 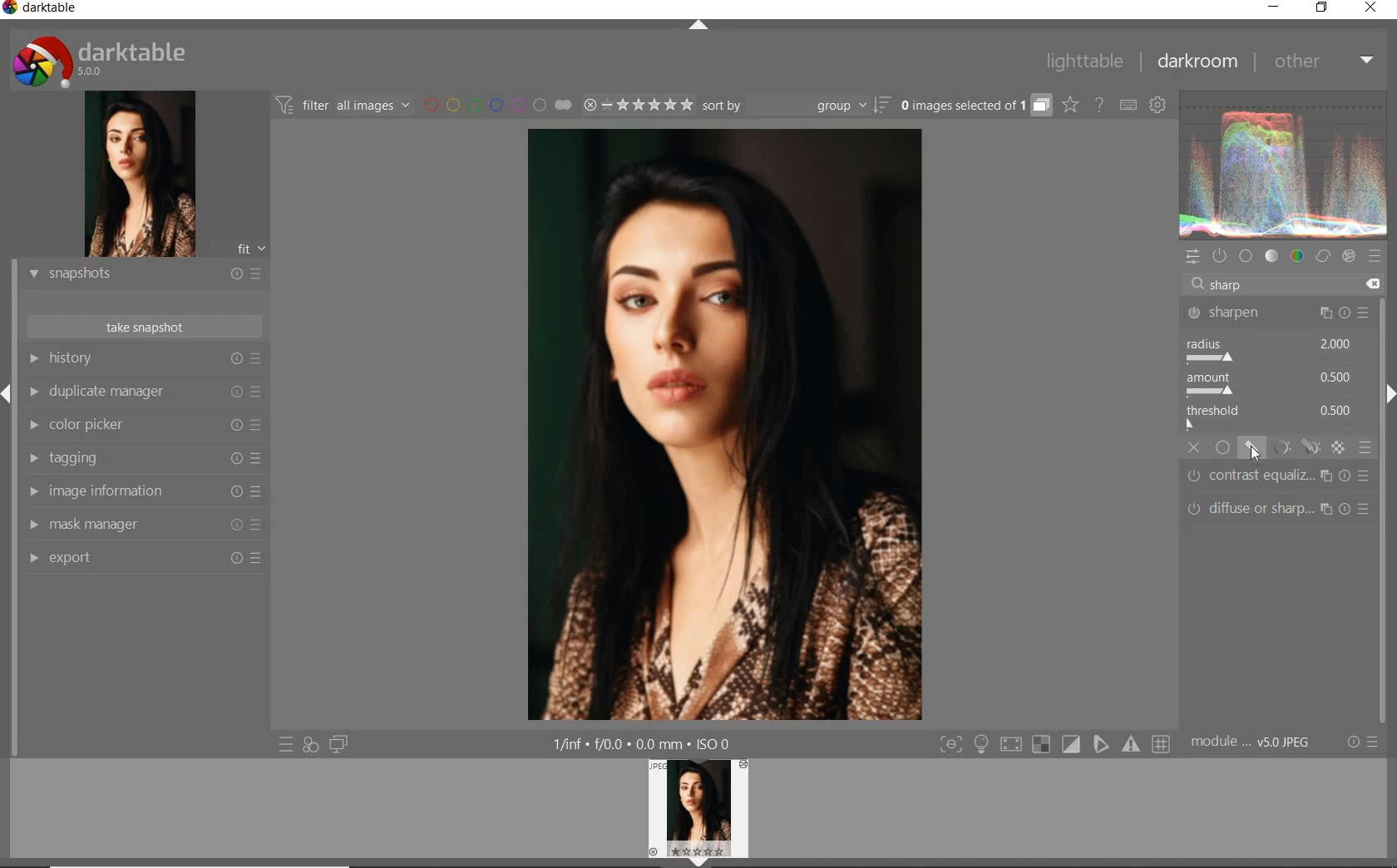 What do you see at coordinates (797, 105) in the screenshot?
I see `sort` at bounding box center [797, 105].